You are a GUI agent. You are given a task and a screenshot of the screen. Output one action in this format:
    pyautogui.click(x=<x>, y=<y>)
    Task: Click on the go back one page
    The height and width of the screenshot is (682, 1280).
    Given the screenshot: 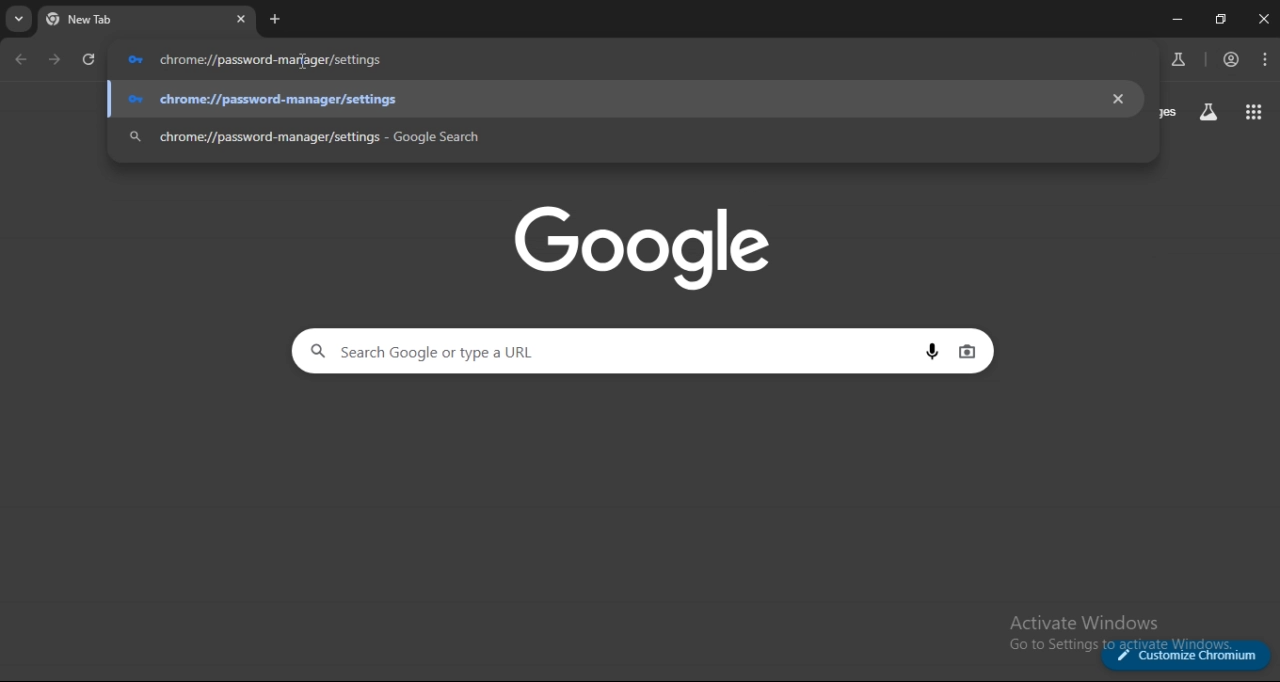 What is the action you would take?
    pyautogui.click(x=21, y=60)
    